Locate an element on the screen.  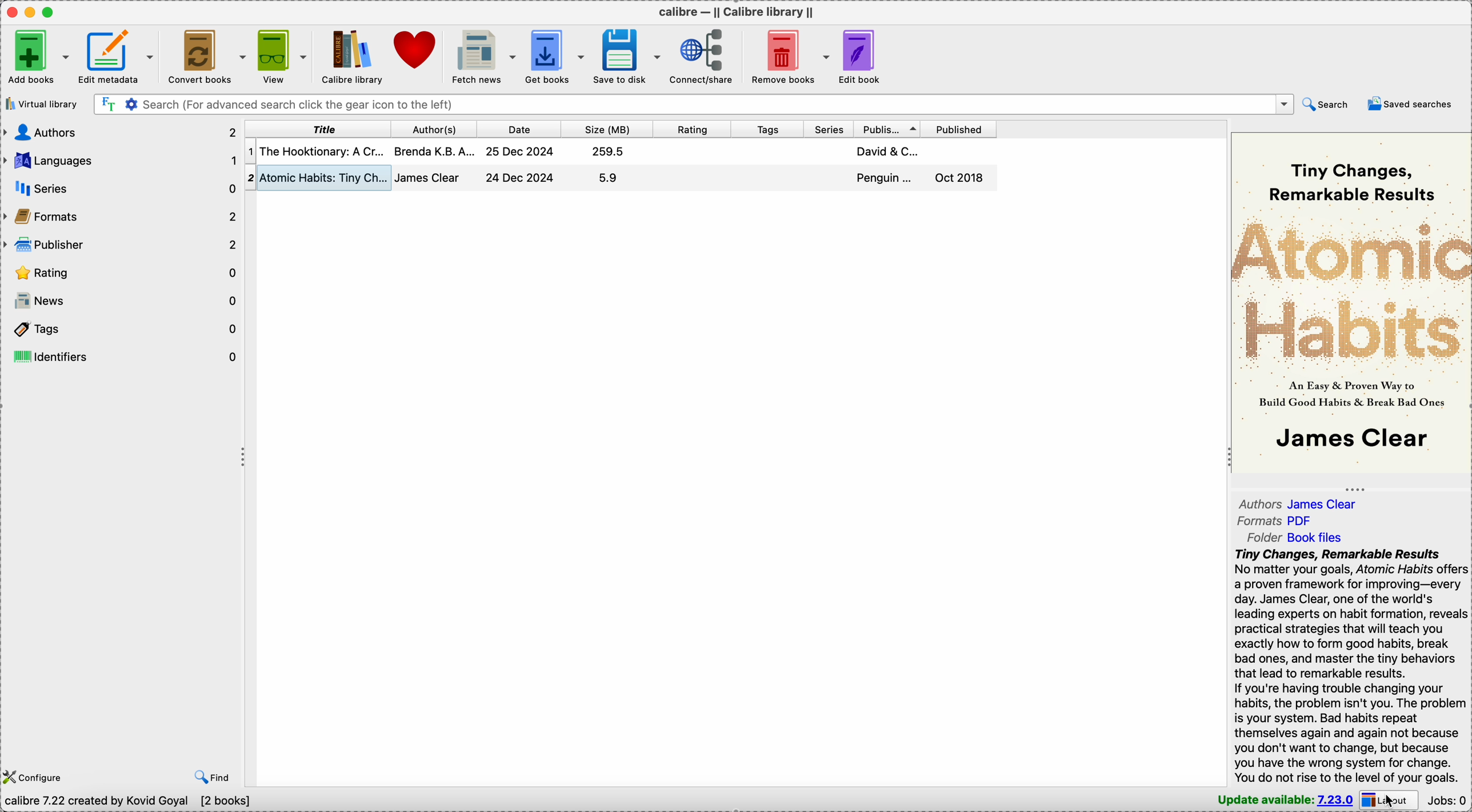
date is located at coordinates (519, 130).